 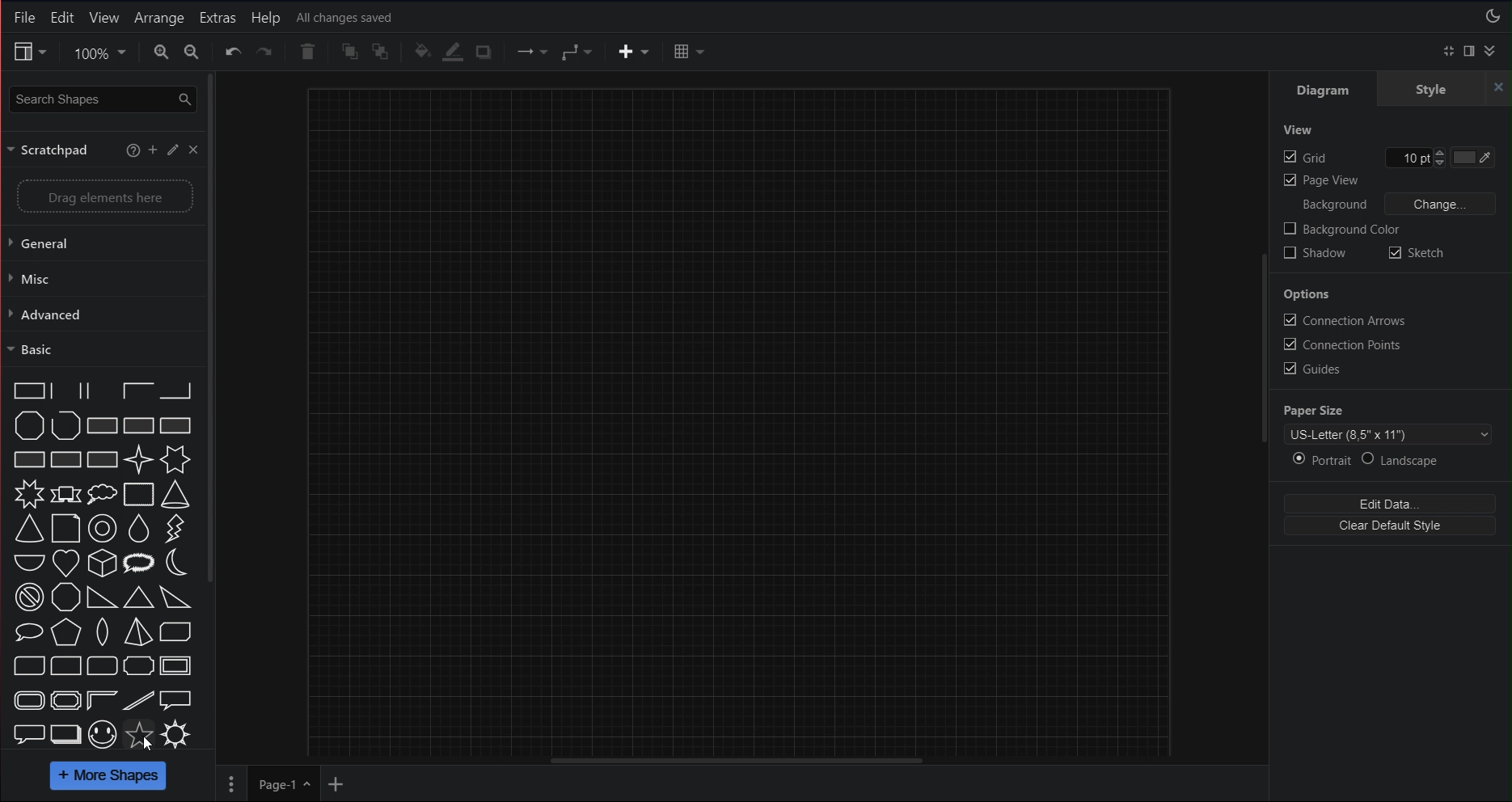 What do you see at coordinates (100, 665) in the screenshot?
I see `rounded rectangle (three corners)` at bounding box center [100, 665].